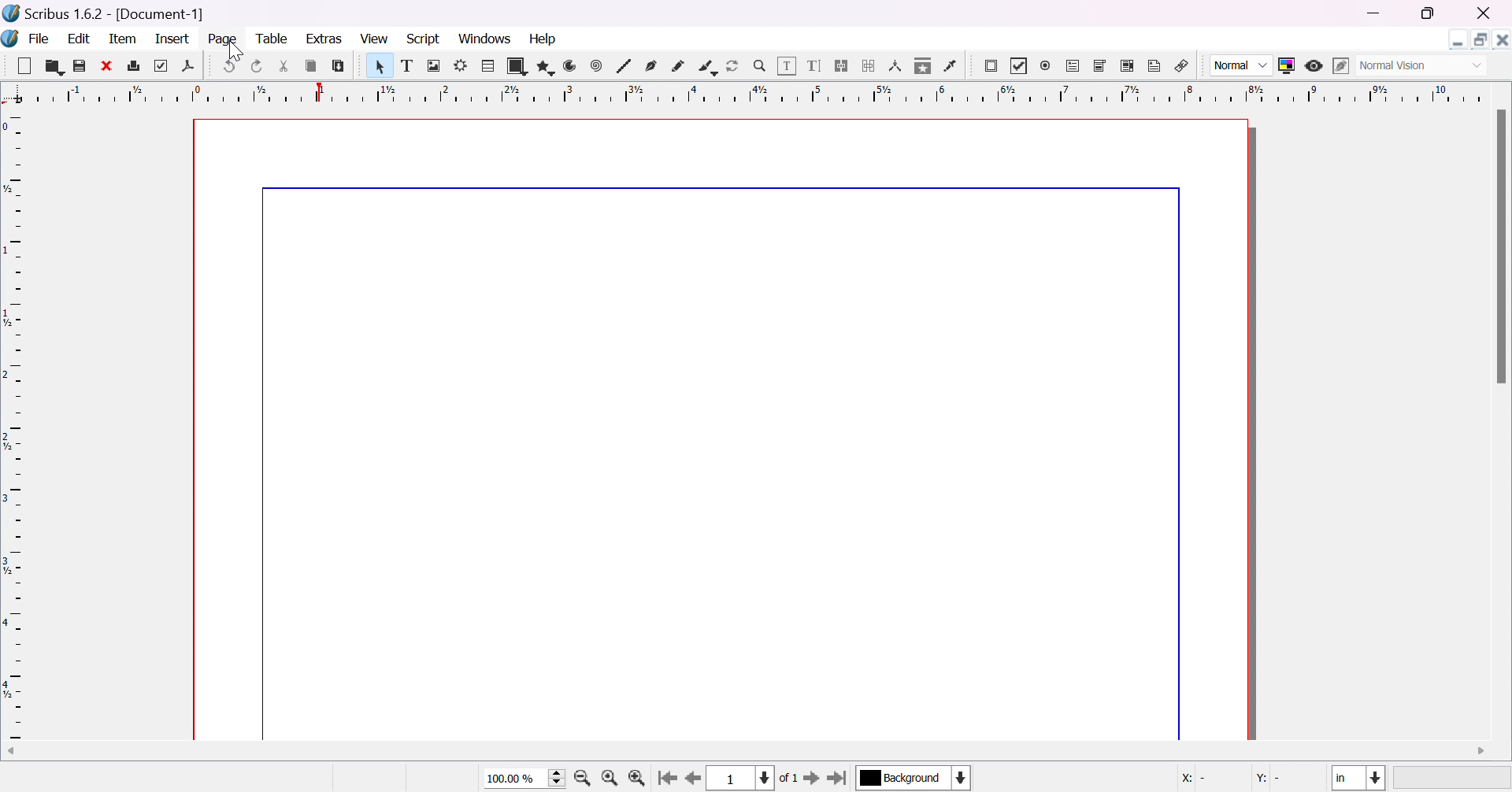 This screenshot has width=1512, height=792. Describe the element at coordinates (548, 65) in the screenshot. I see `polygon` at that location.